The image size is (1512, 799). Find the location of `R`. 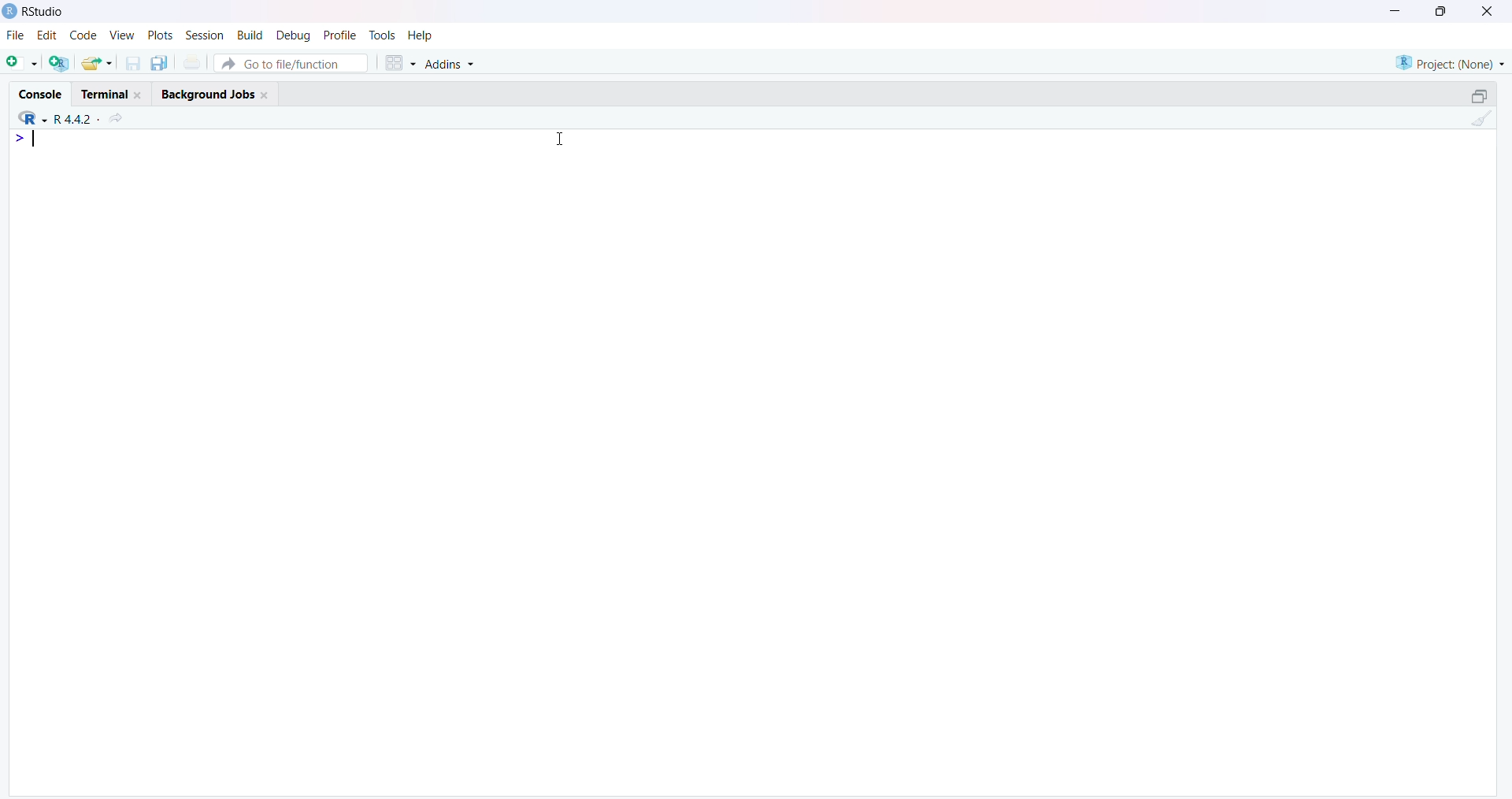

R is located at coordinates (27, 117).